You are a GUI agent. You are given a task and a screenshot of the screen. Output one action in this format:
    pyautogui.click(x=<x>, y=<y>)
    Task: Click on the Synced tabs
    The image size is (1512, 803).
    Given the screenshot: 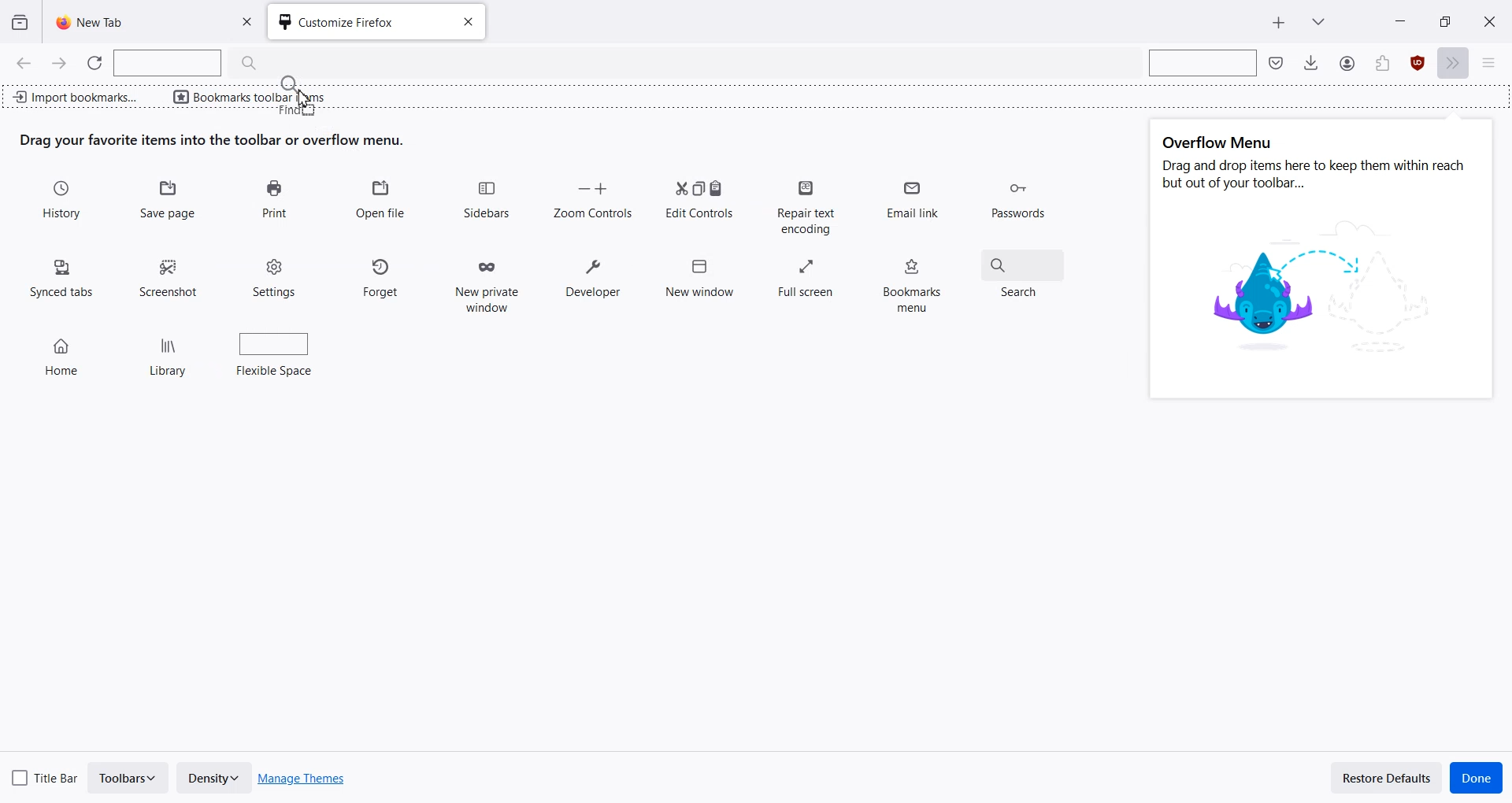 What is the action you would take?
    pyautogui.click(x=62, y=276)
    